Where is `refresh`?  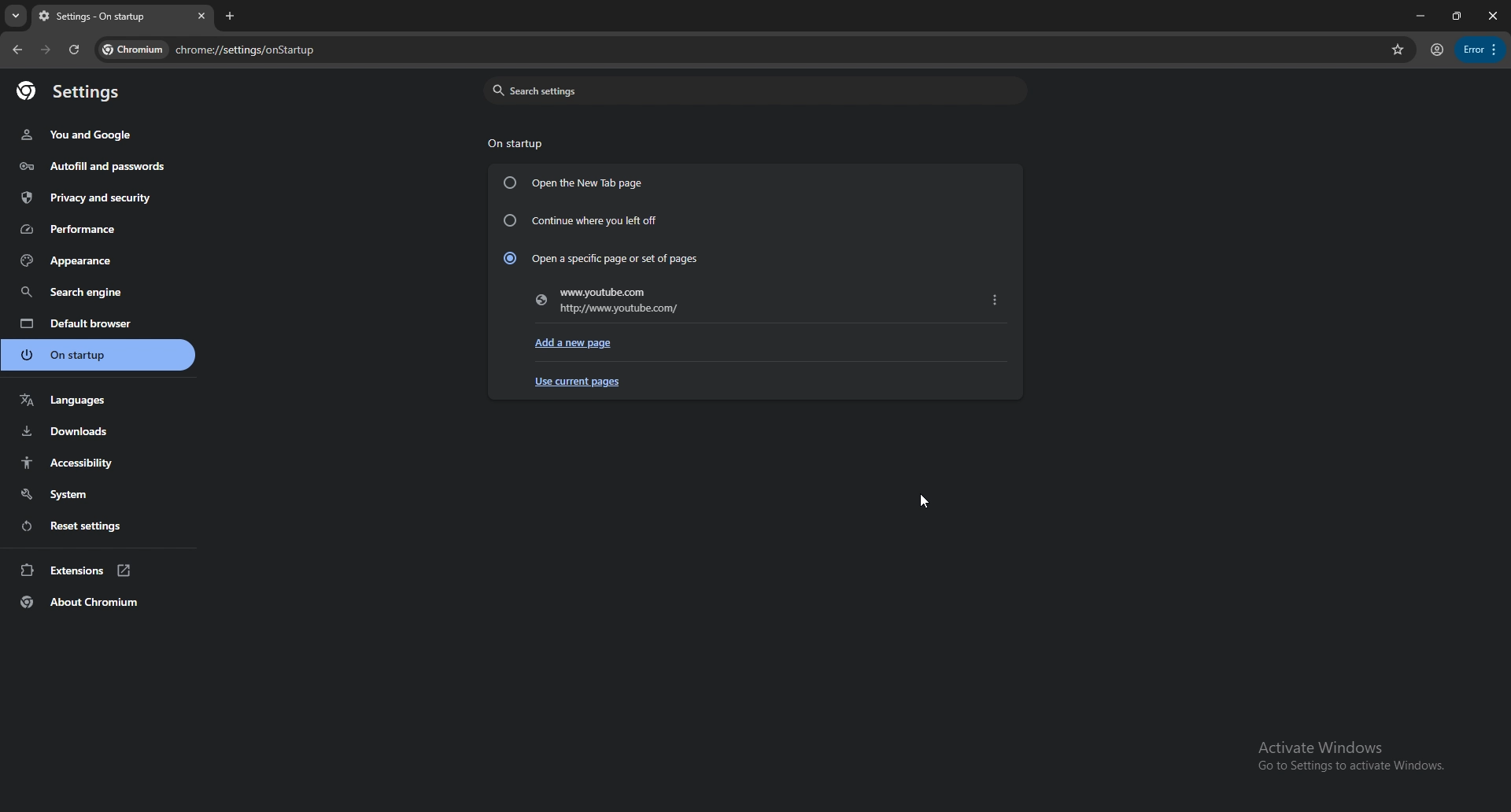 refresh is located at coordinates (74, 50).